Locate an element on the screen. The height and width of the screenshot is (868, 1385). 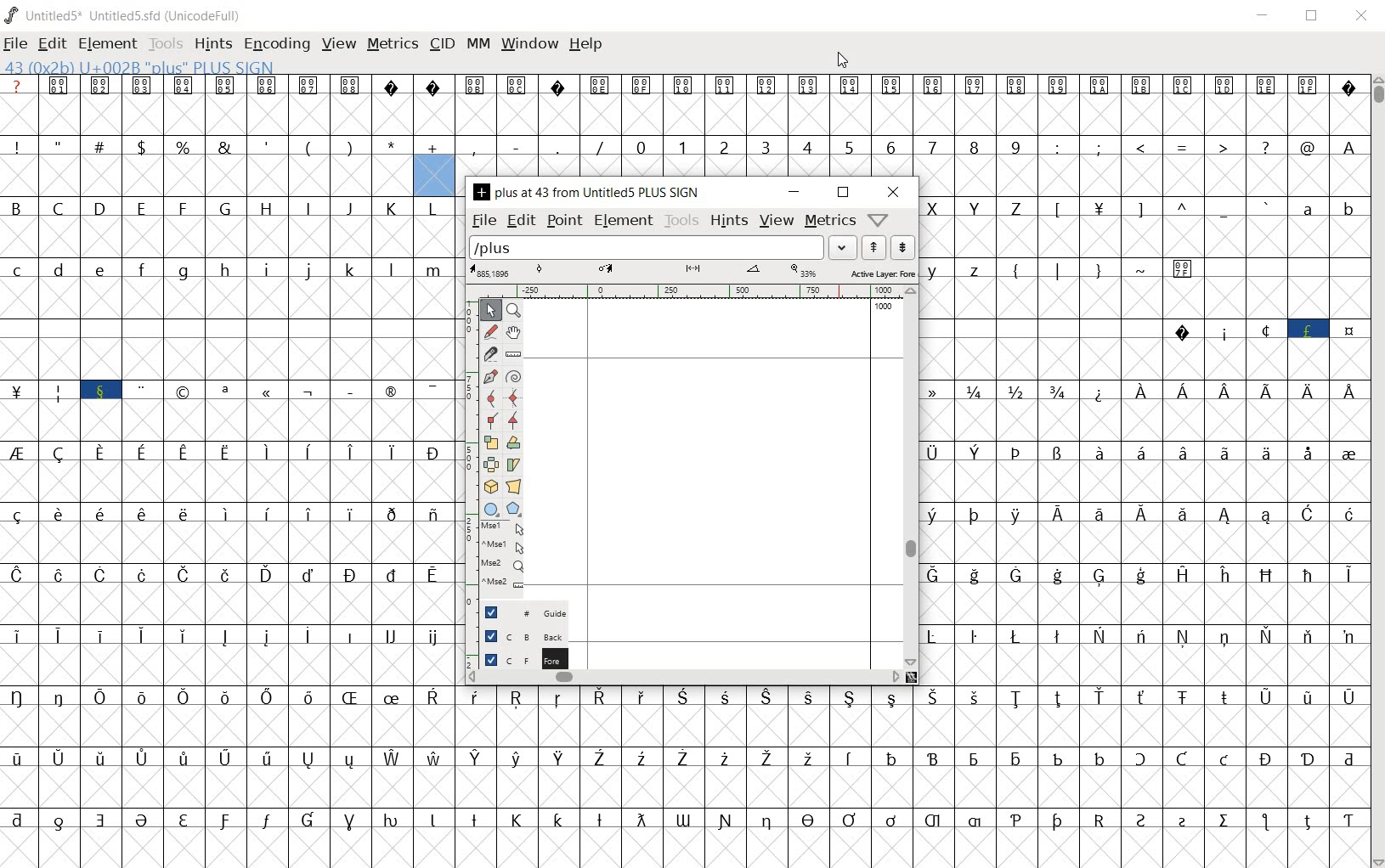
special characters is located at coordinates (1203, 228).